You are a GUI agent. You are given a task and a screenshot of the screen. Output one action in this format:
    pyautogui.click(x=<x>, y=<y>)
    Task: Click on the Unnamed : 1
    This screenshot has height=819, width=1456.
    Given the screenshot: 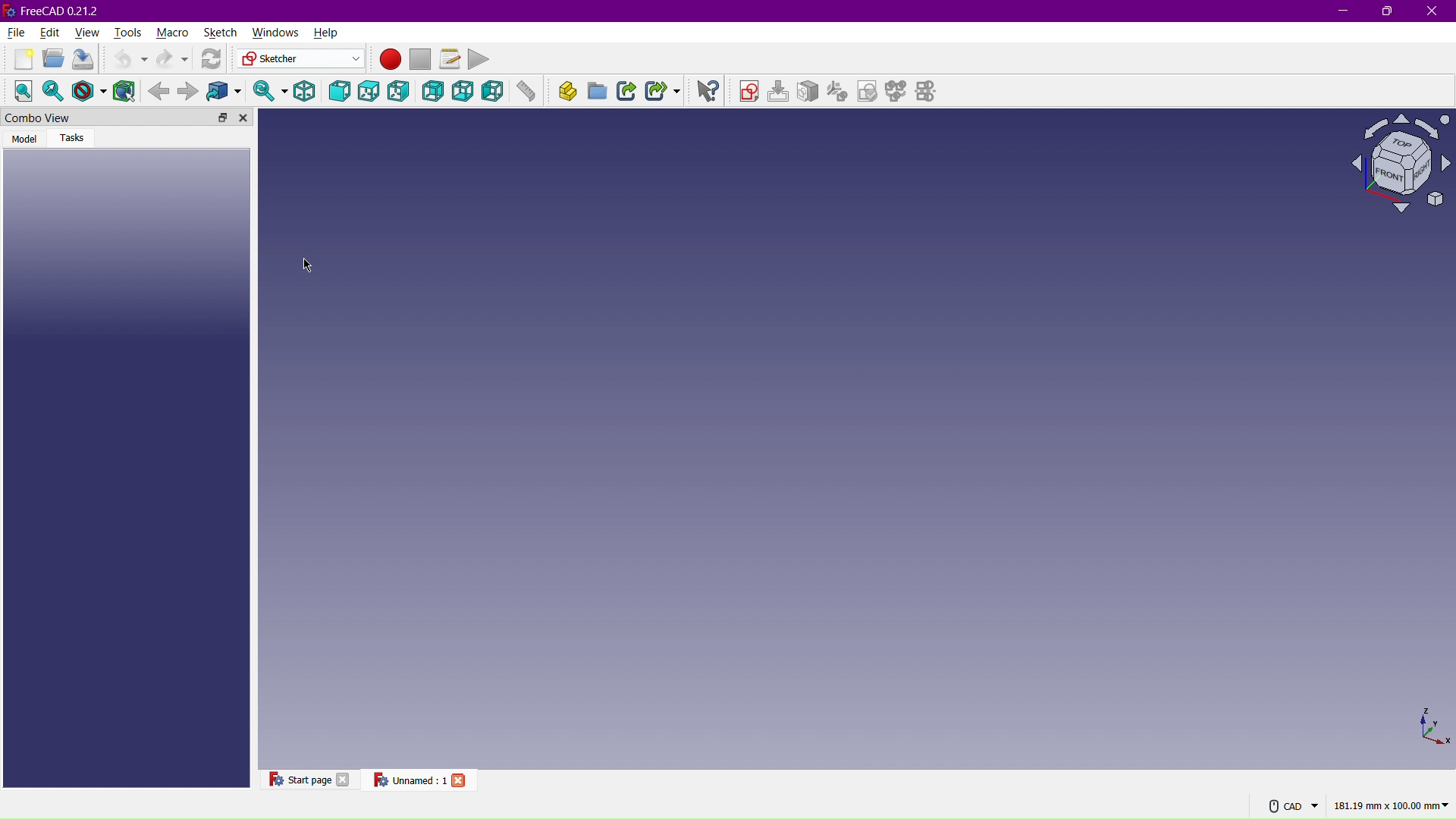 What is the action you would take?
    pyautogui.click(x=406, y=779)
    